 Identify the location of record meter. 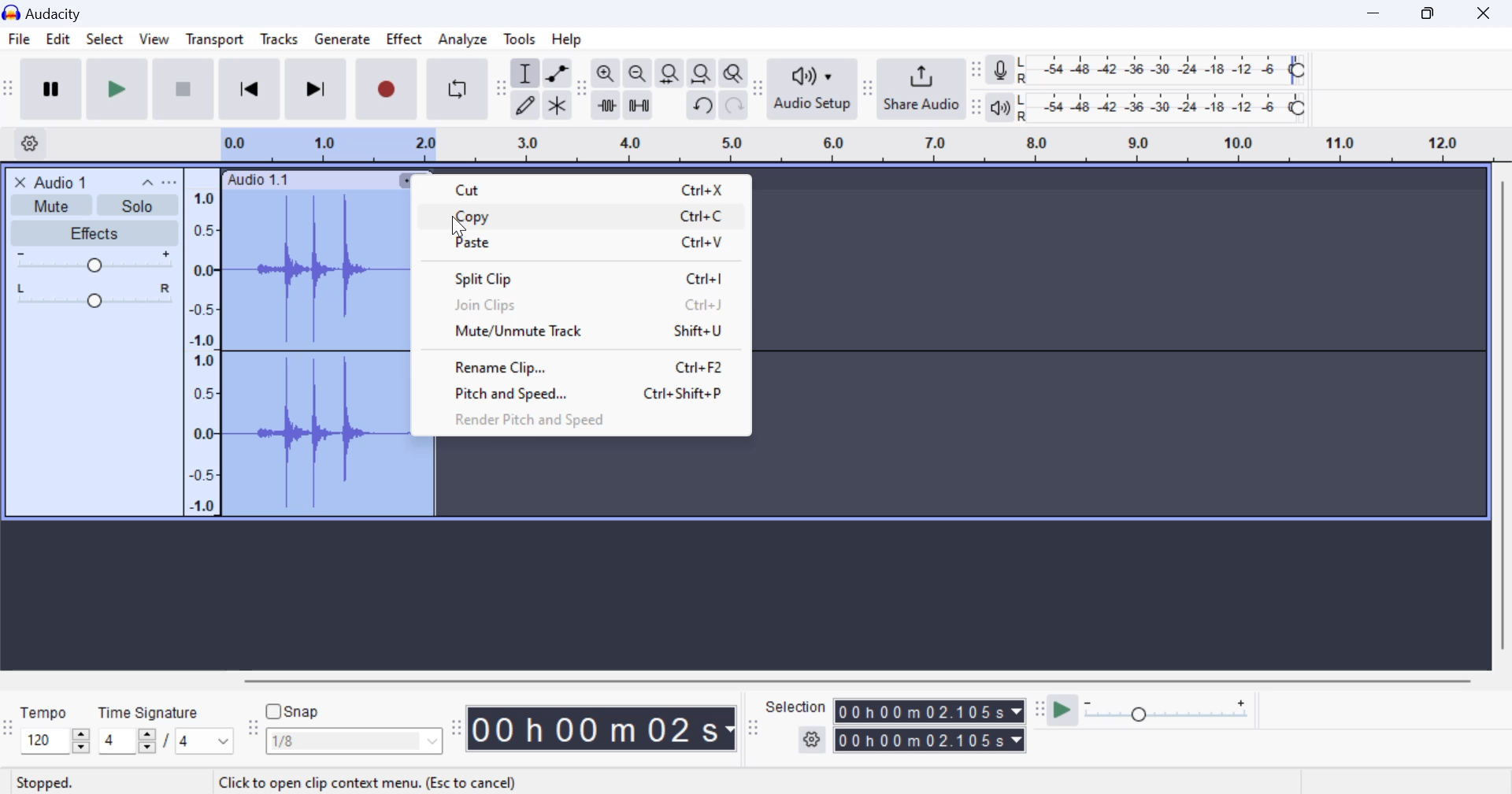
(1001, 72).